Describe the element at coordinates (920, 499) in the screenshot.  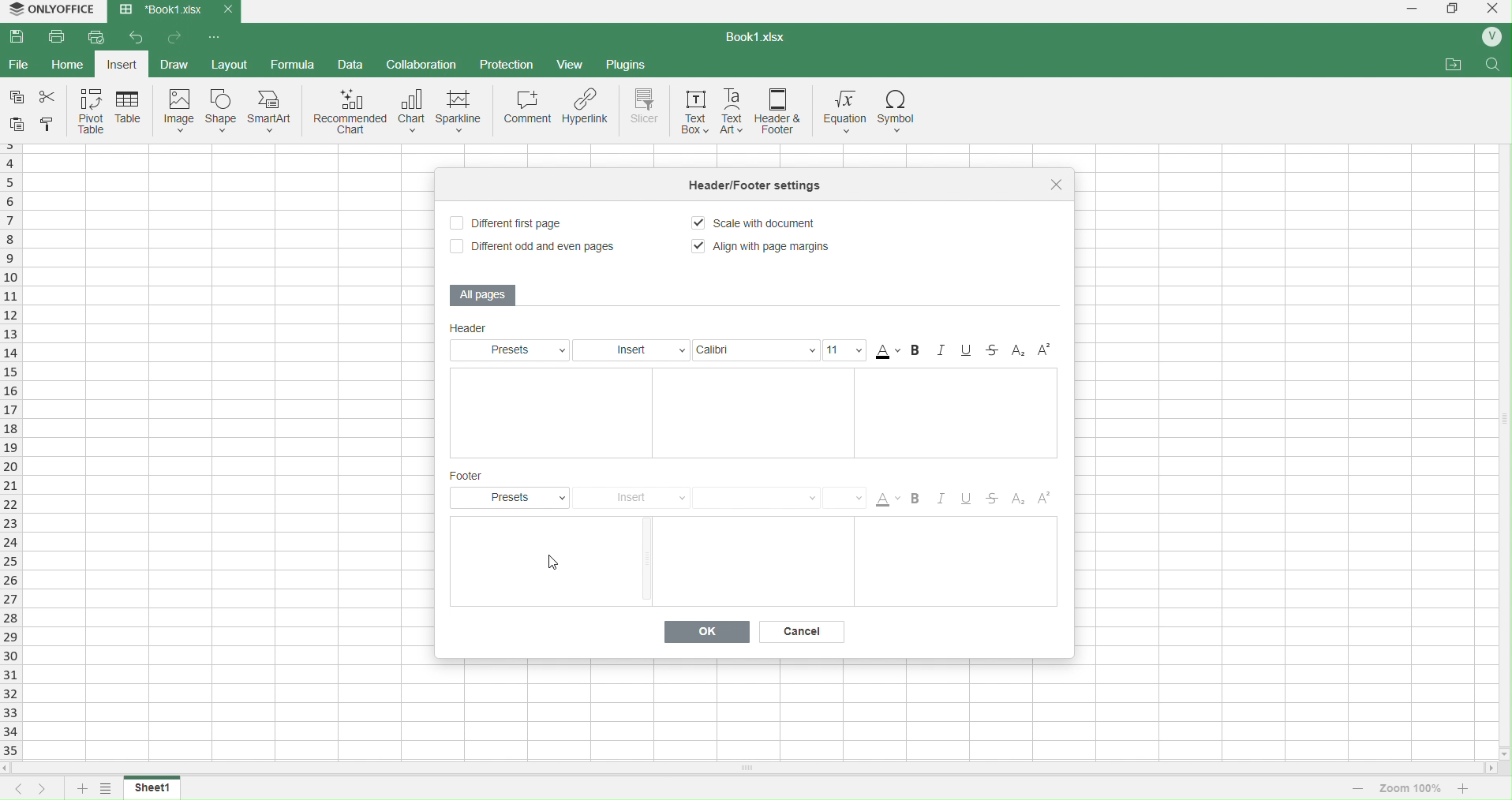
I see `Bold` at that location.